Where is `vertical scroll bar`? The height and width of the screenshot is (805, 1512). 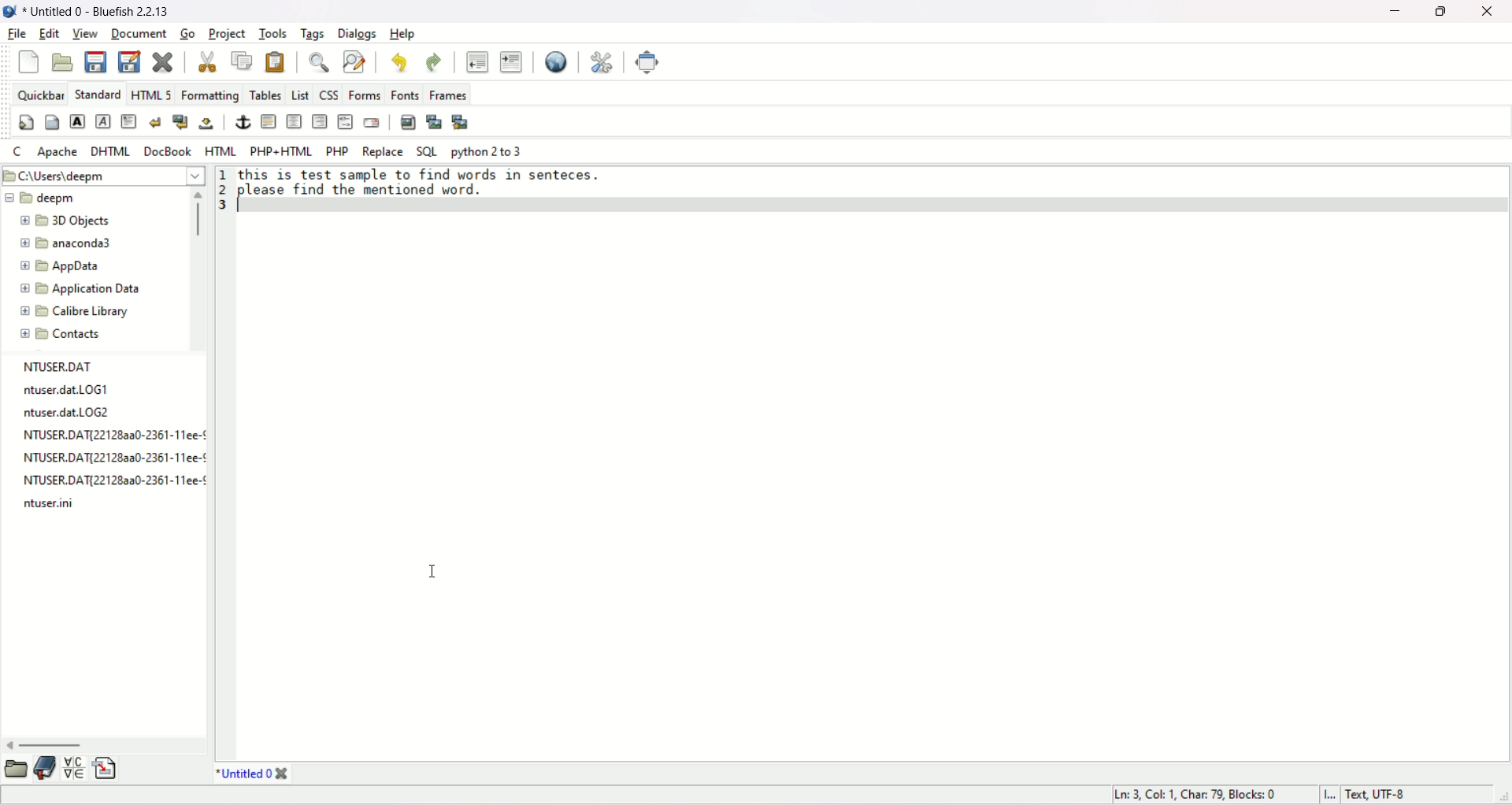 vertical scroll bar is located at coordinates (195, 216).